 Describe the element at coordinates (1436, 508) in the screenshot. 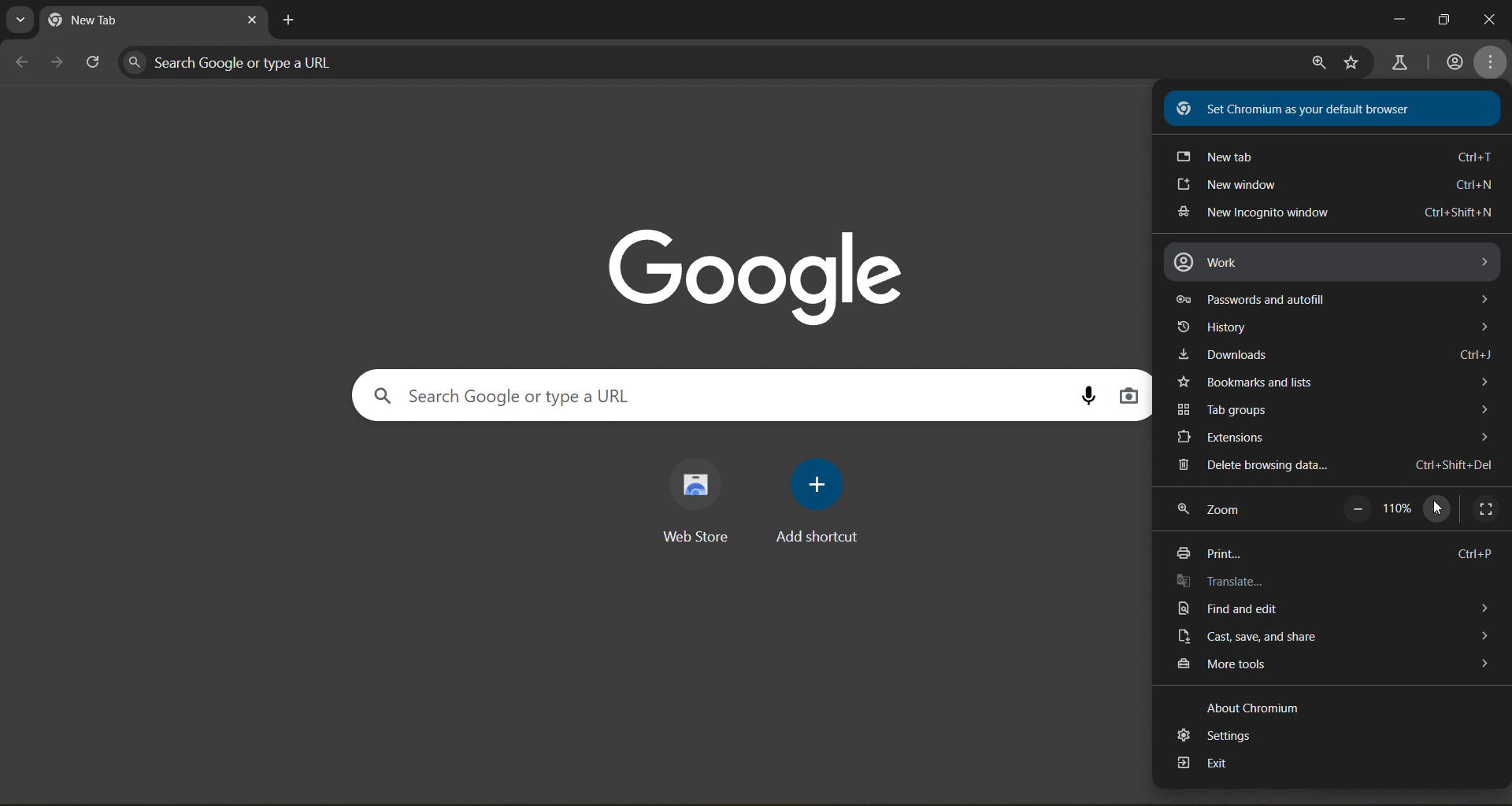

I see `Cursor` at that location.